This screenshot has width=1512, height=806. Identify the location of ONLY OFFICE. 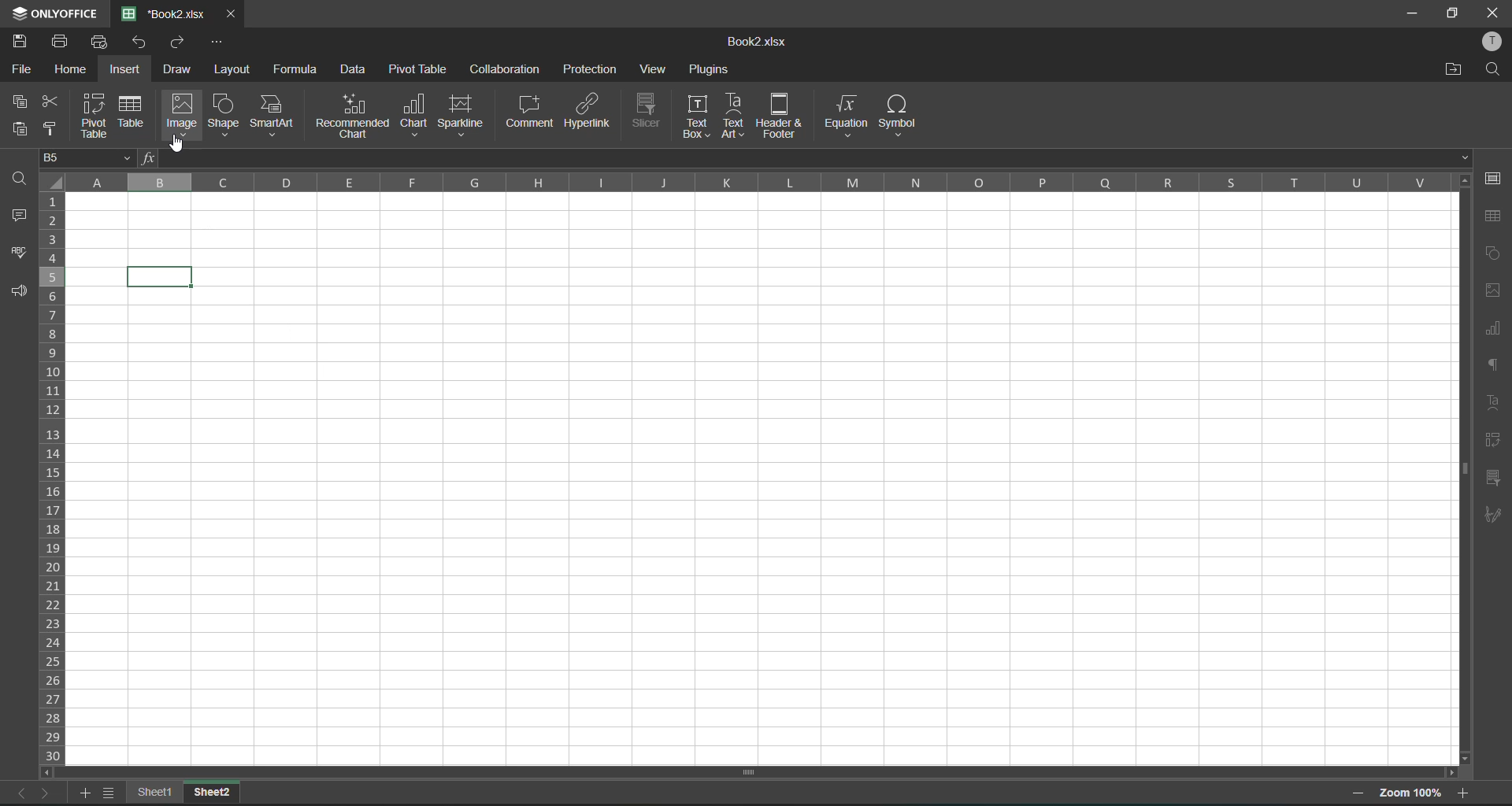
(53, 12).